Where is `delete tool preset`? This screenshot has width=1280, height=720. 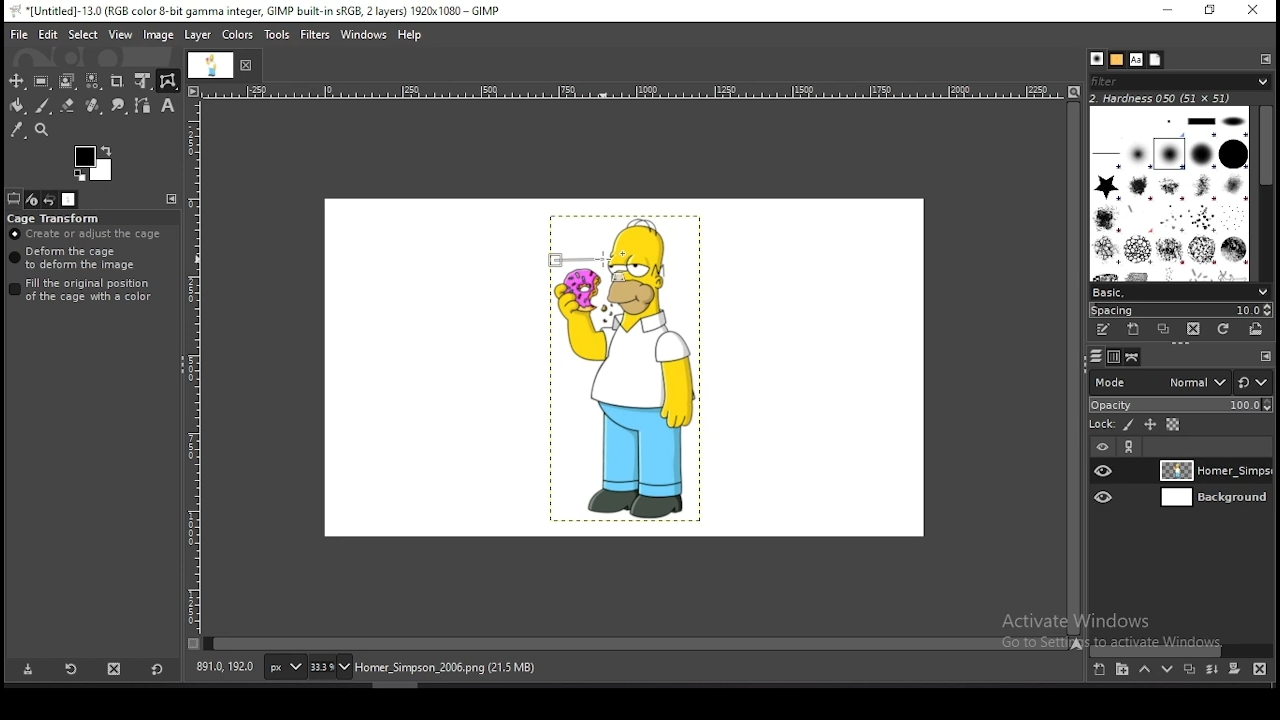
delete tool preset is located at coordinates (116, 670).